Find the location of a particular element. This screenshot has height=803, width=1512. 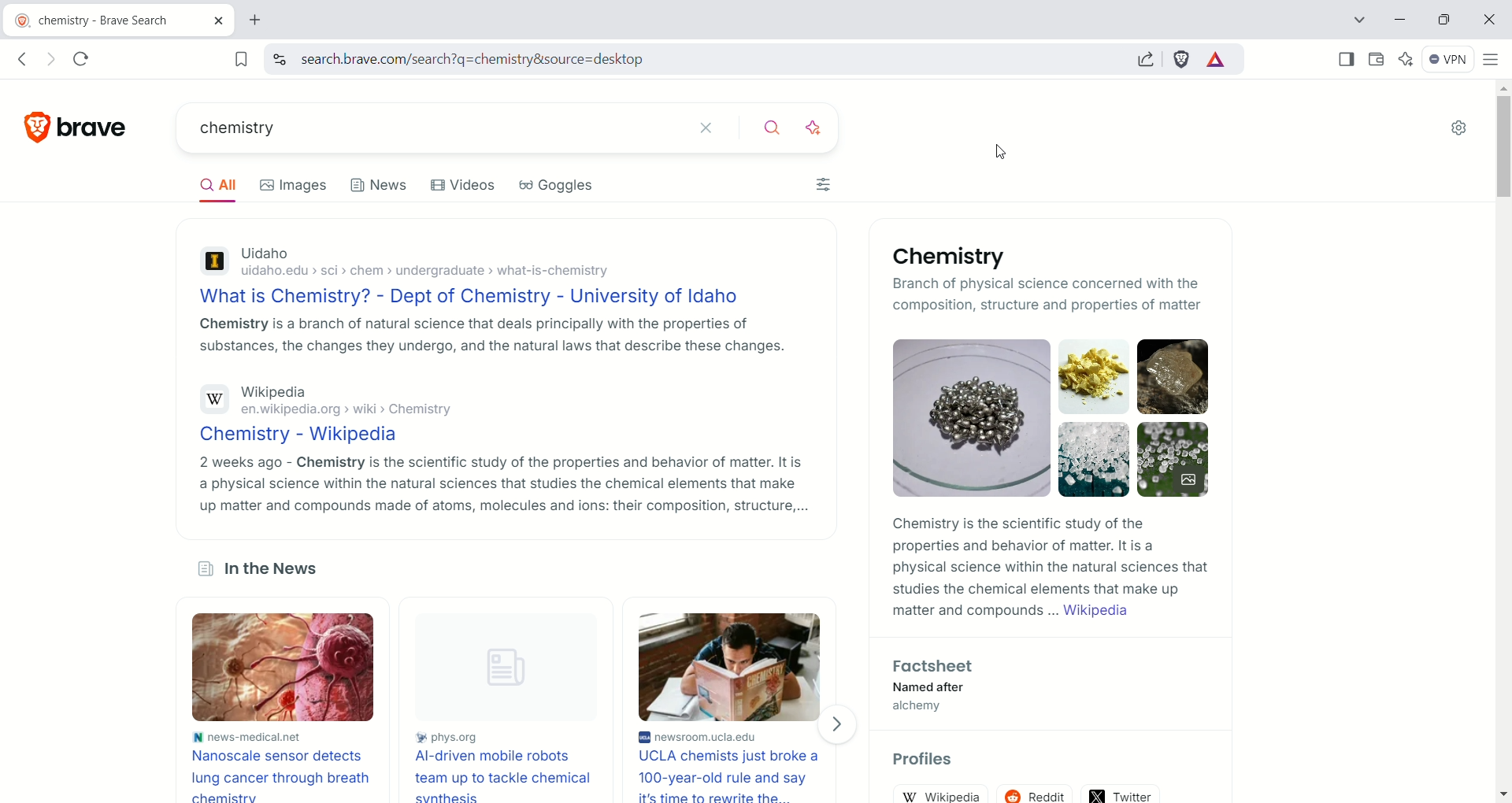

In the news is located at coordinates (266, 569).